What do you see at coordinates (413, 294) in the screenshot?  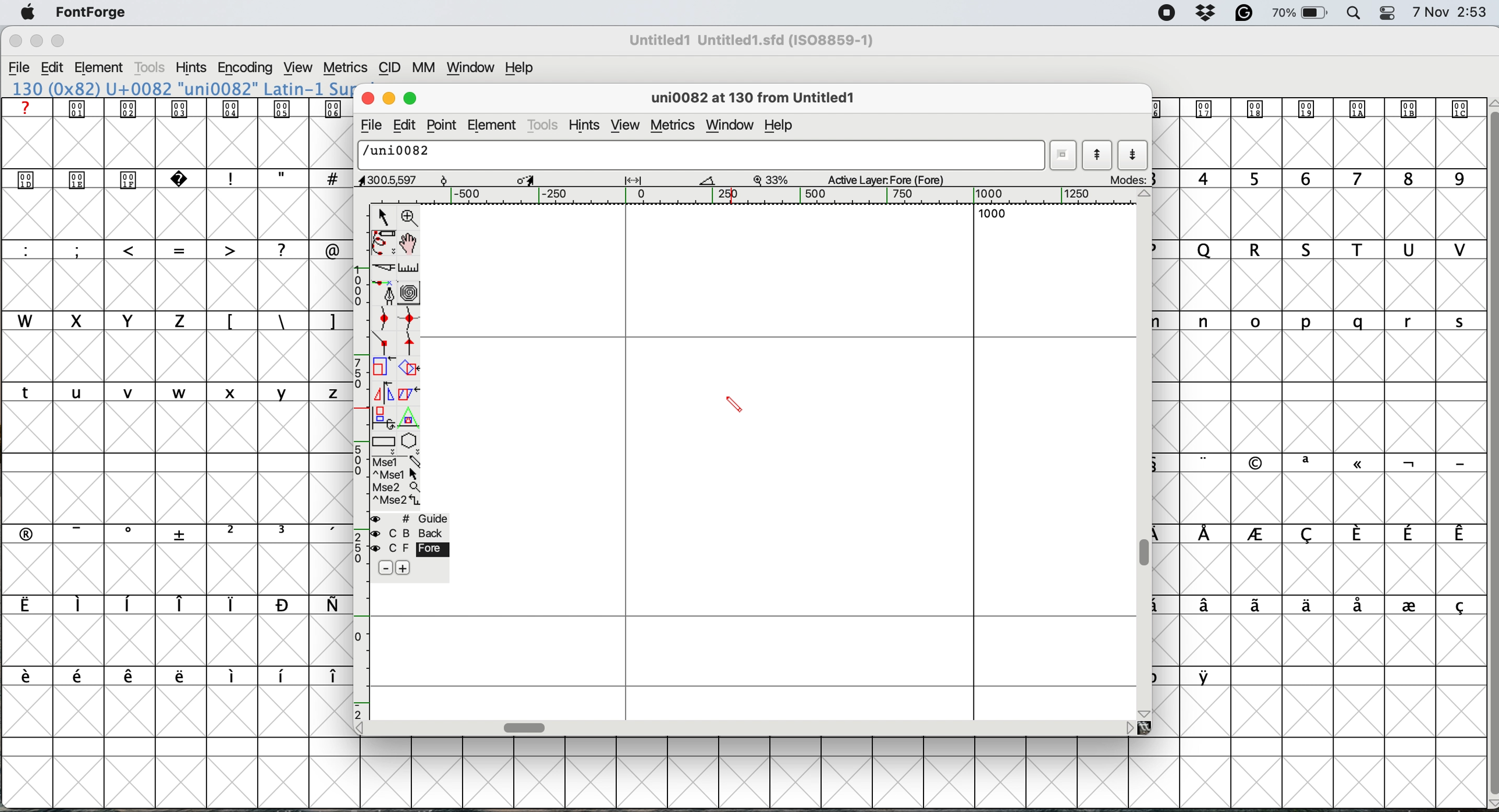 I see `change whether spiro is active or not` at bounding box center [413, 294].